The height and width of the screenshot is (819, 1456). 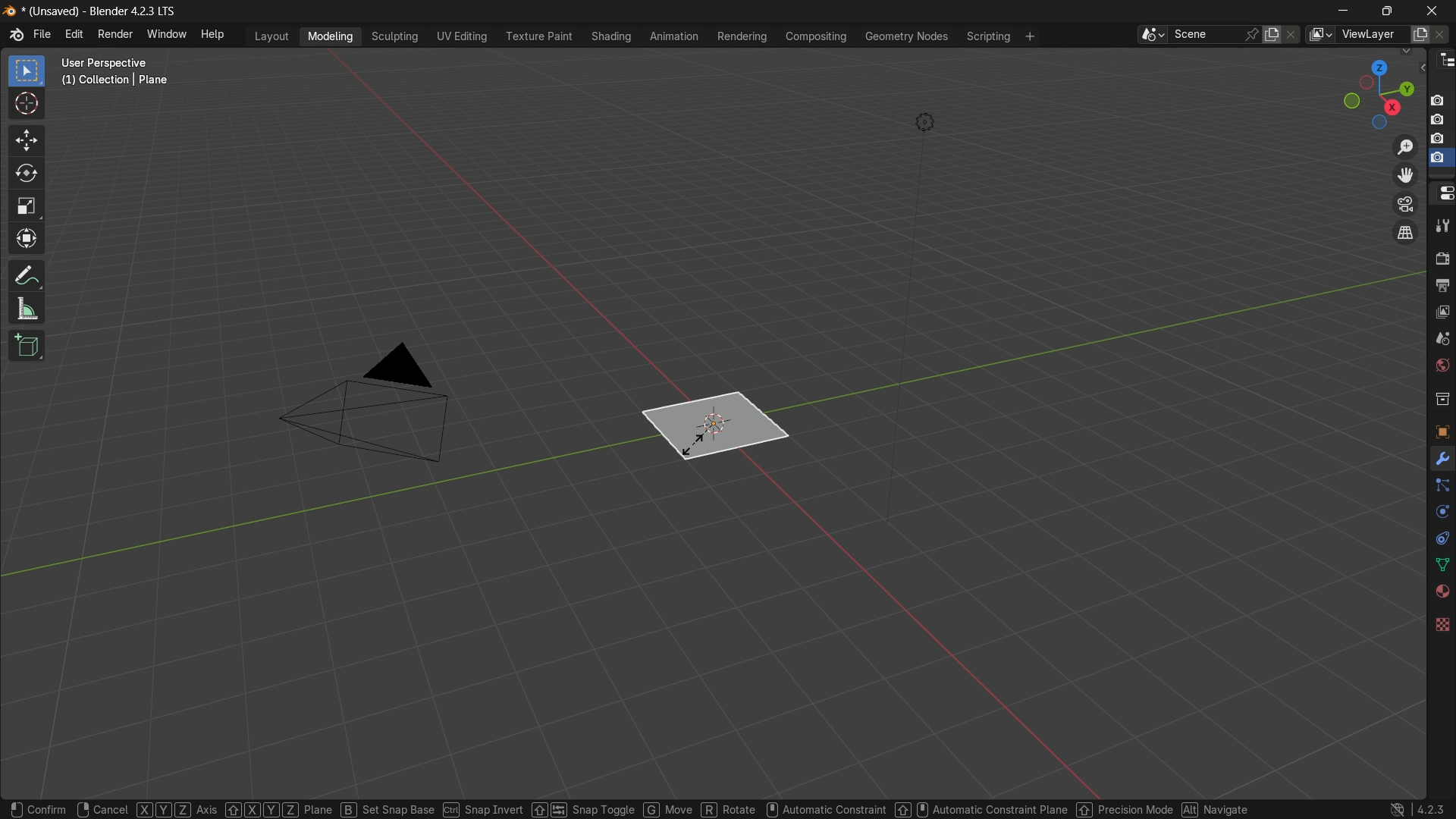 I want to click on edit menu, so click(x=77, y=36).